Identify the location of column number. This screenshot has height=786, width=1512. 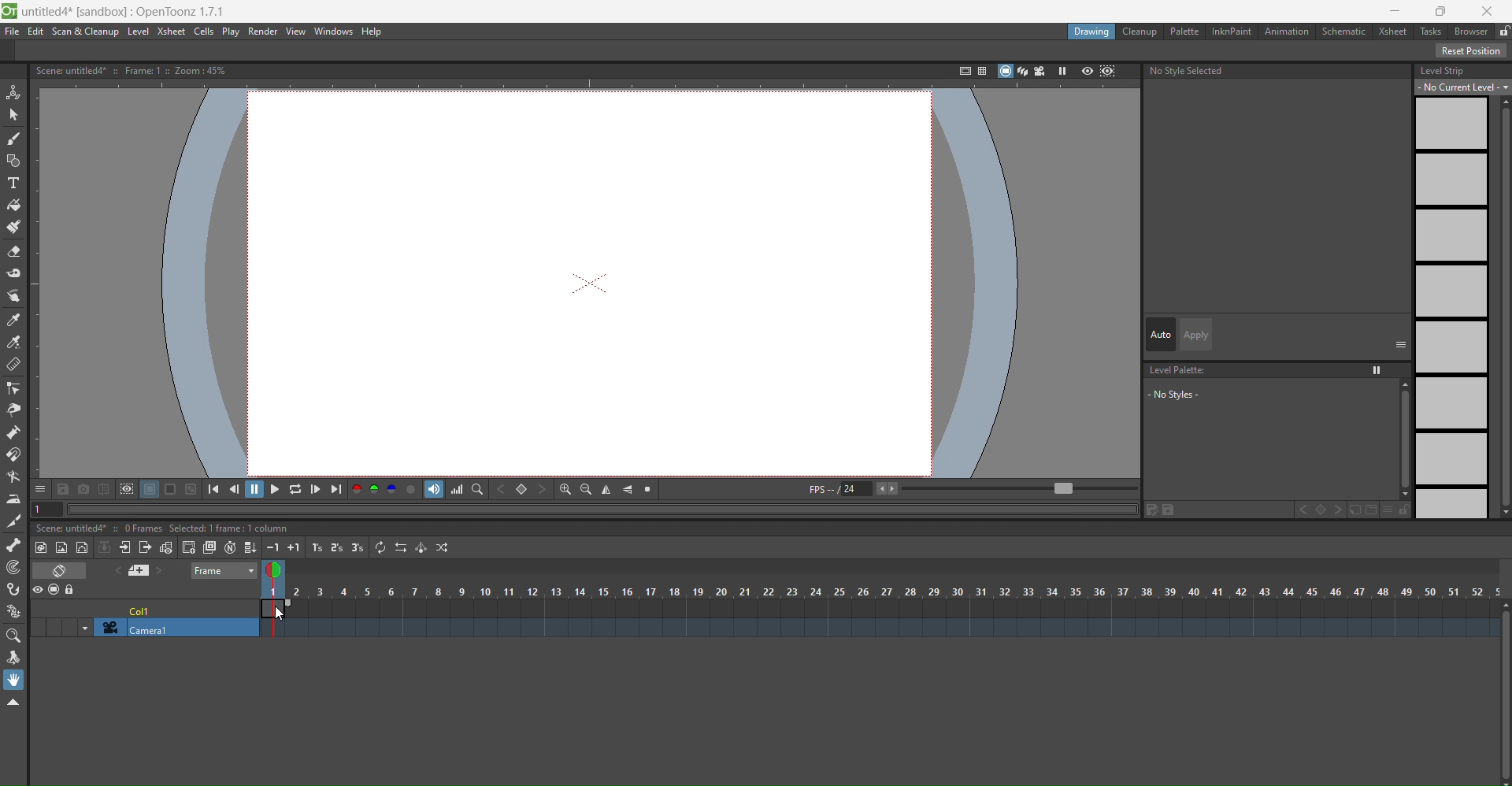
(882, 593).